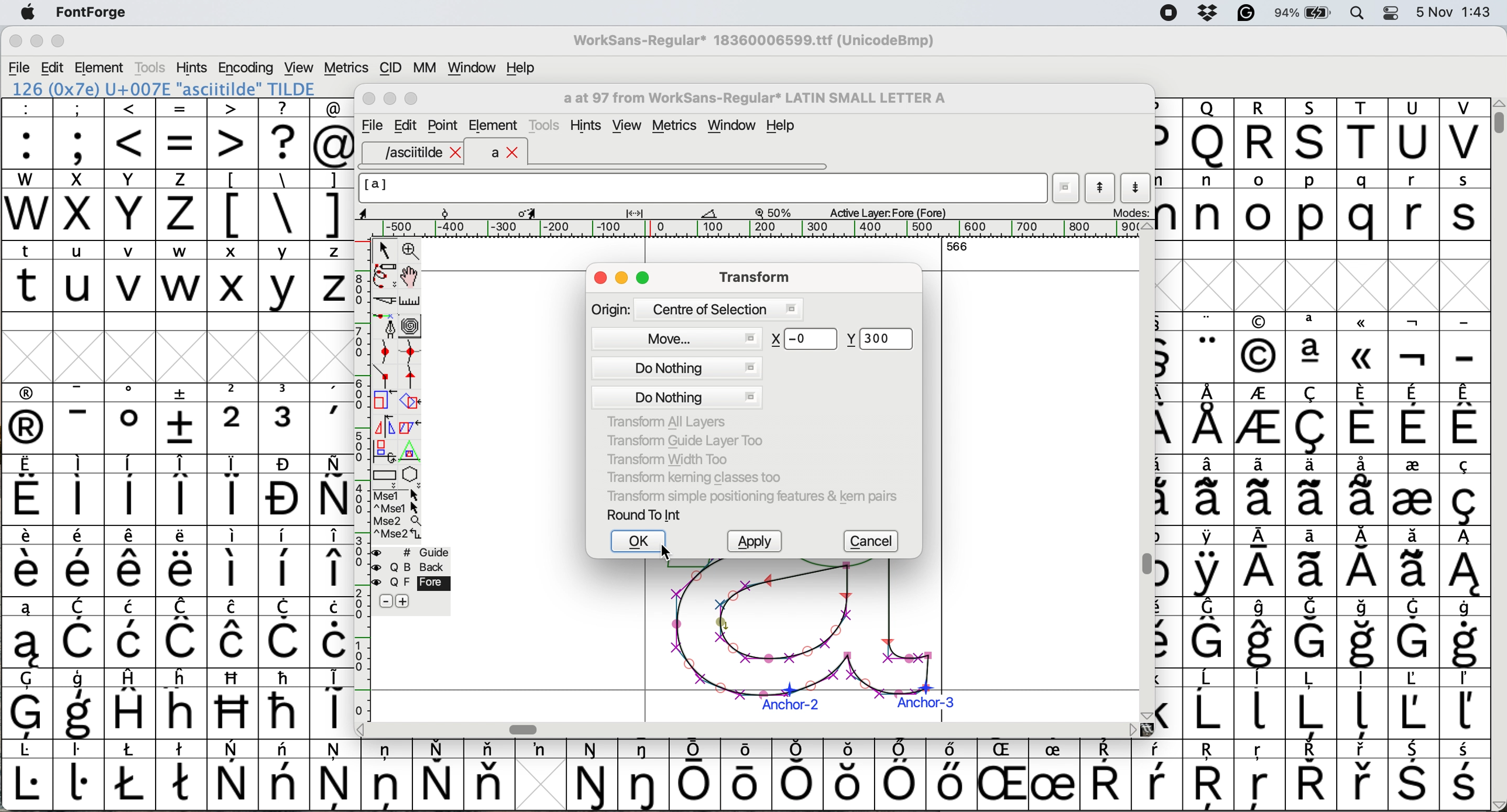 The height and width of the screenshot is (812, 1507). What do you see at coordinates (362, 728) in the screenshot?
I see `scroll button` at bounding box center [362, 728].